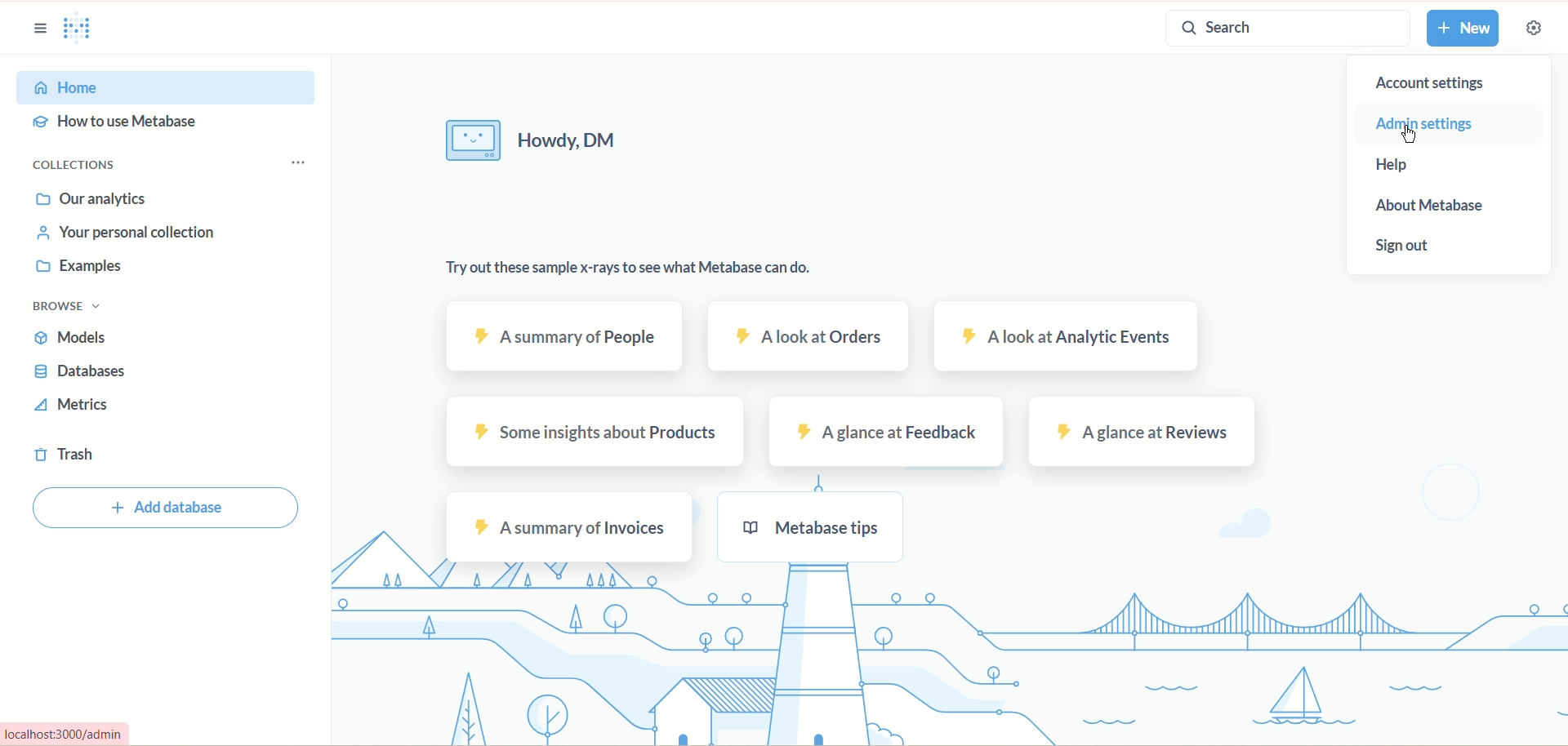  What do you see at coordinates (1432, 207) in the screenshot?
I see `about metabase` at bounding box center [1432, 207].